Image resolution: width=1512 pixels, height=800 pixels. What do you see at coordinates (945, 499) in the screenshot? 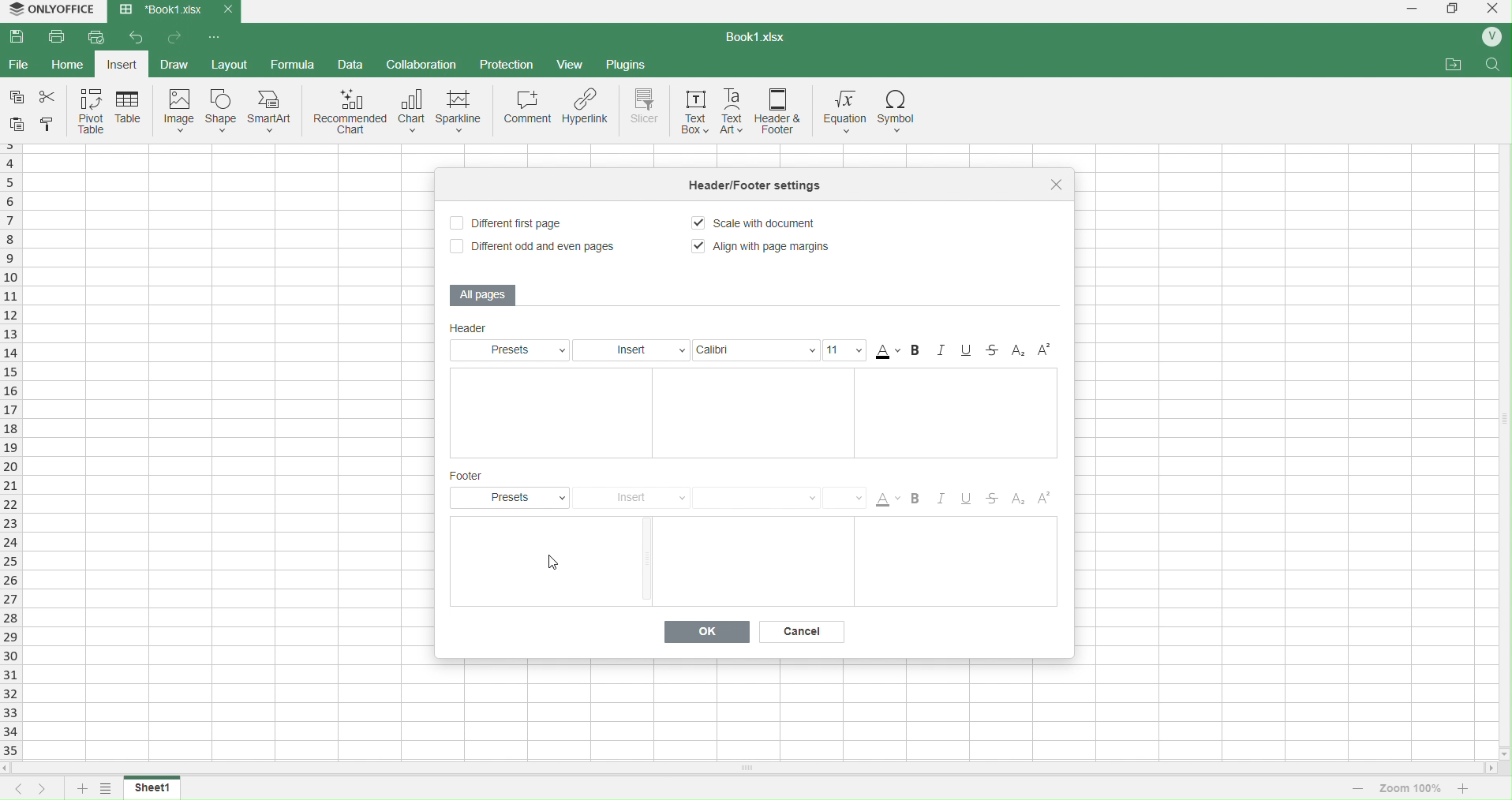
I see `Italic` at bounding box center [945, 499].